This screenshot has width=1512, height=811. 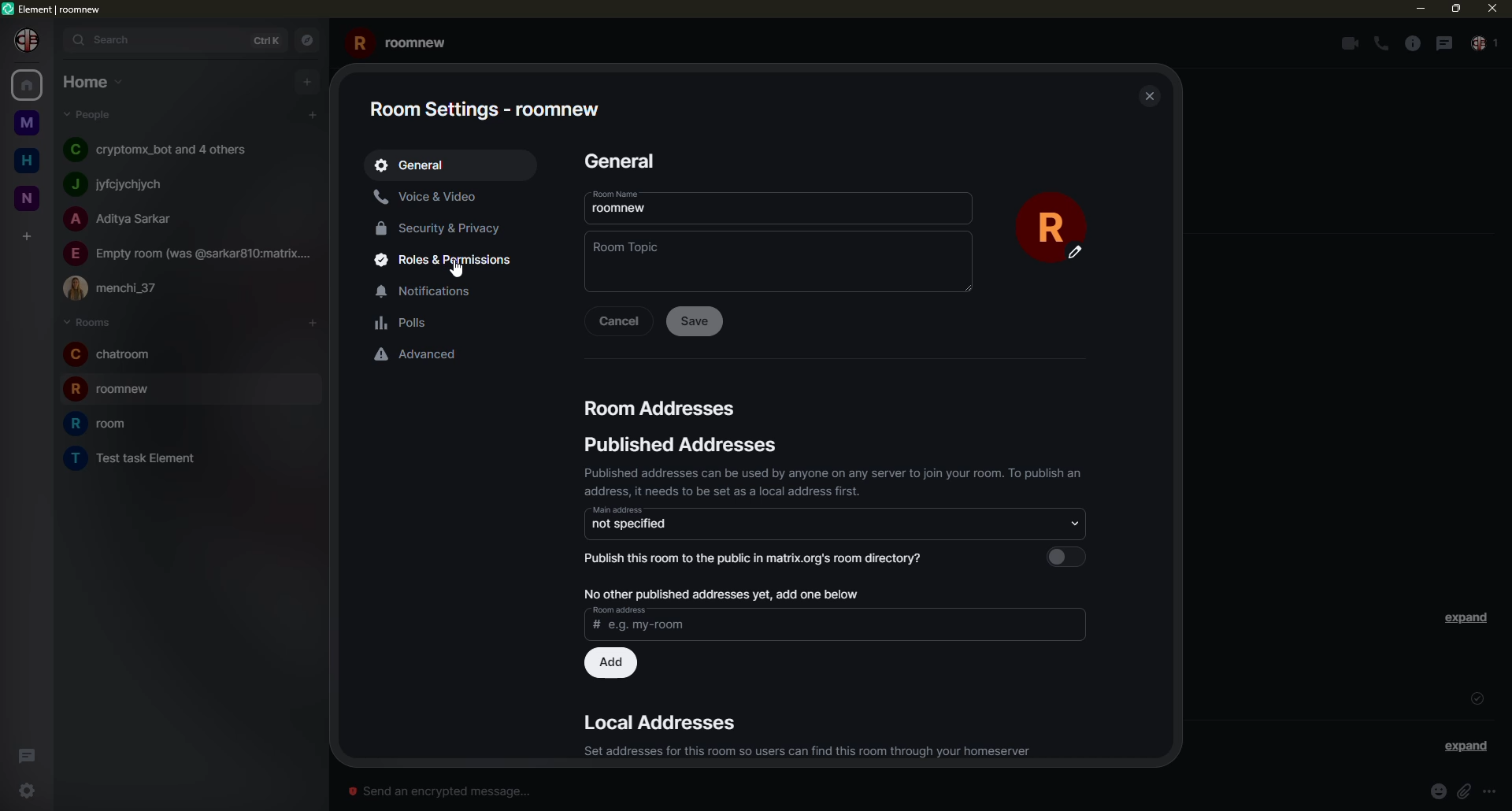 I want to click on notifications, so click(x=433, y=291).